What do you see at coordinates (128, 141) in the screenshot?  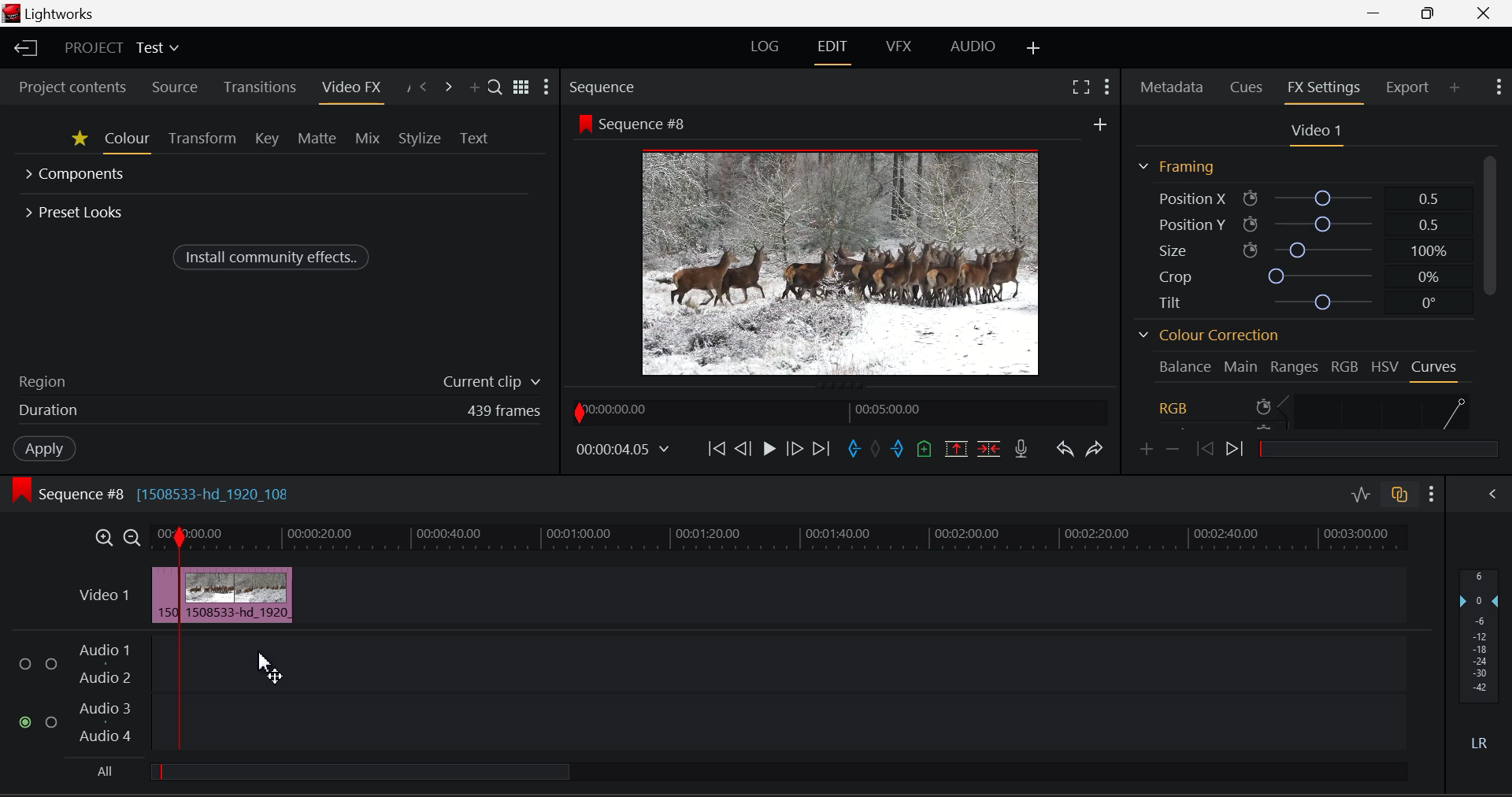 I see `Colour` at bounding box center [128, 141].